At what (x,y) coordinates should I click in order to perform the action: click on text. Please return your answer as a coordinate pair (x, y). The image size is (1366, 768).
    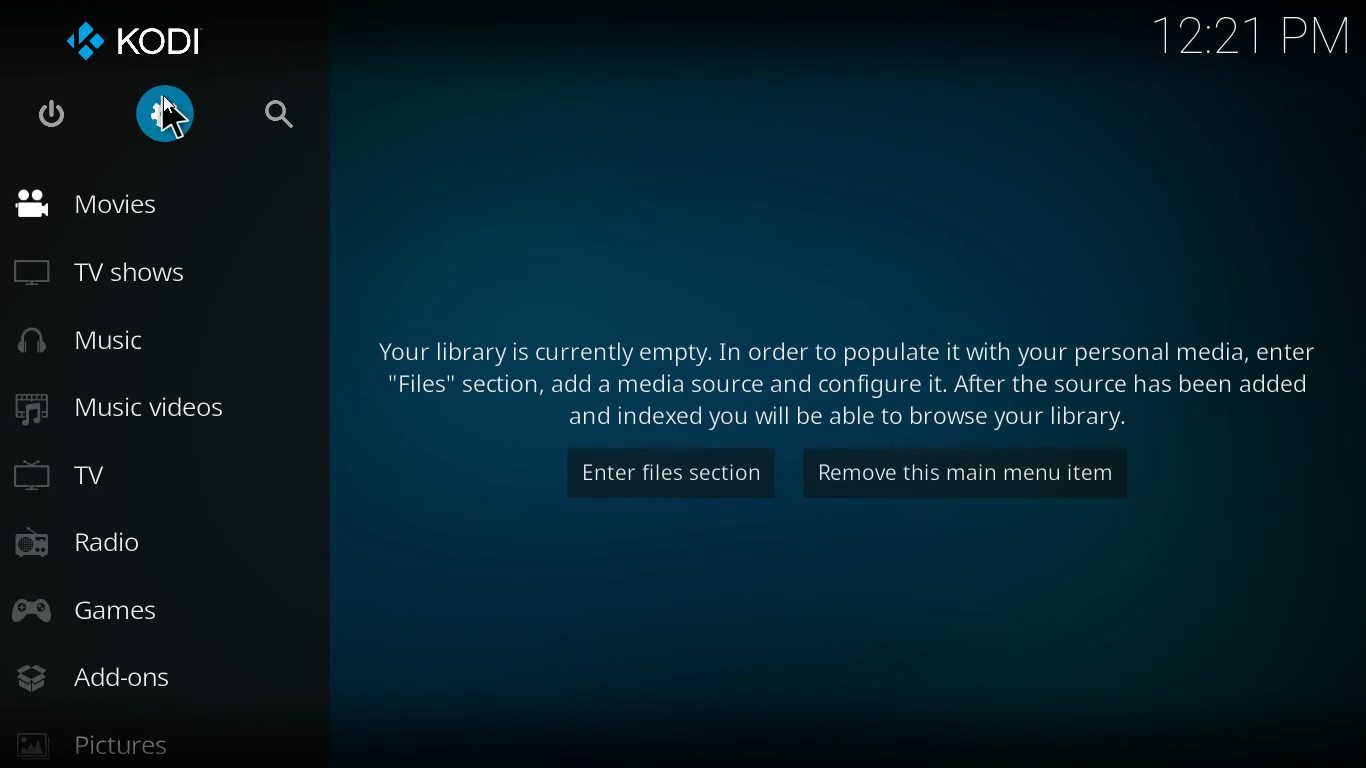
    Looking at the image, I should click on (843, 377).